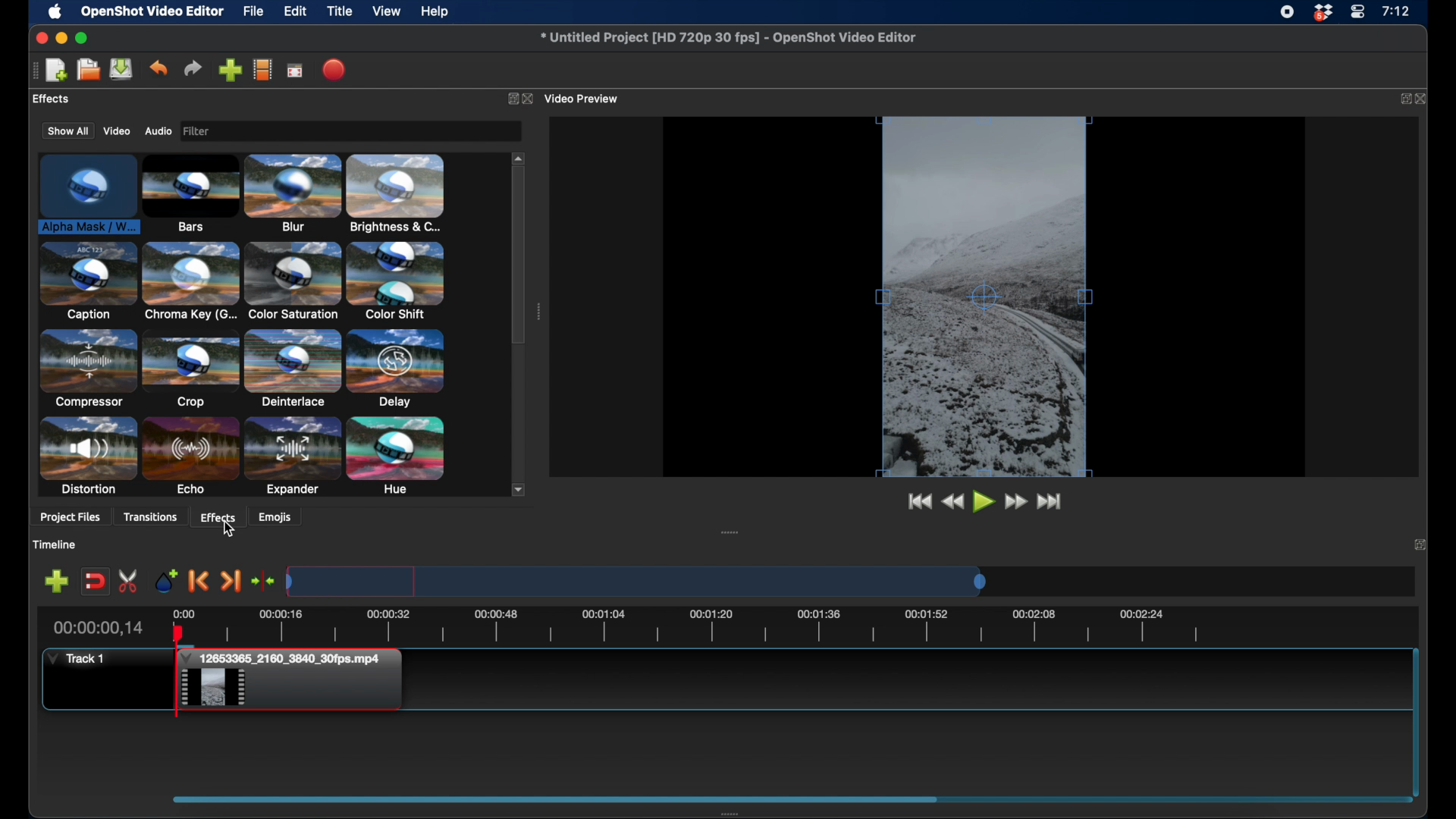 The image size is (1456, 819). I want to click on File added to timeline, so click(295, 681).